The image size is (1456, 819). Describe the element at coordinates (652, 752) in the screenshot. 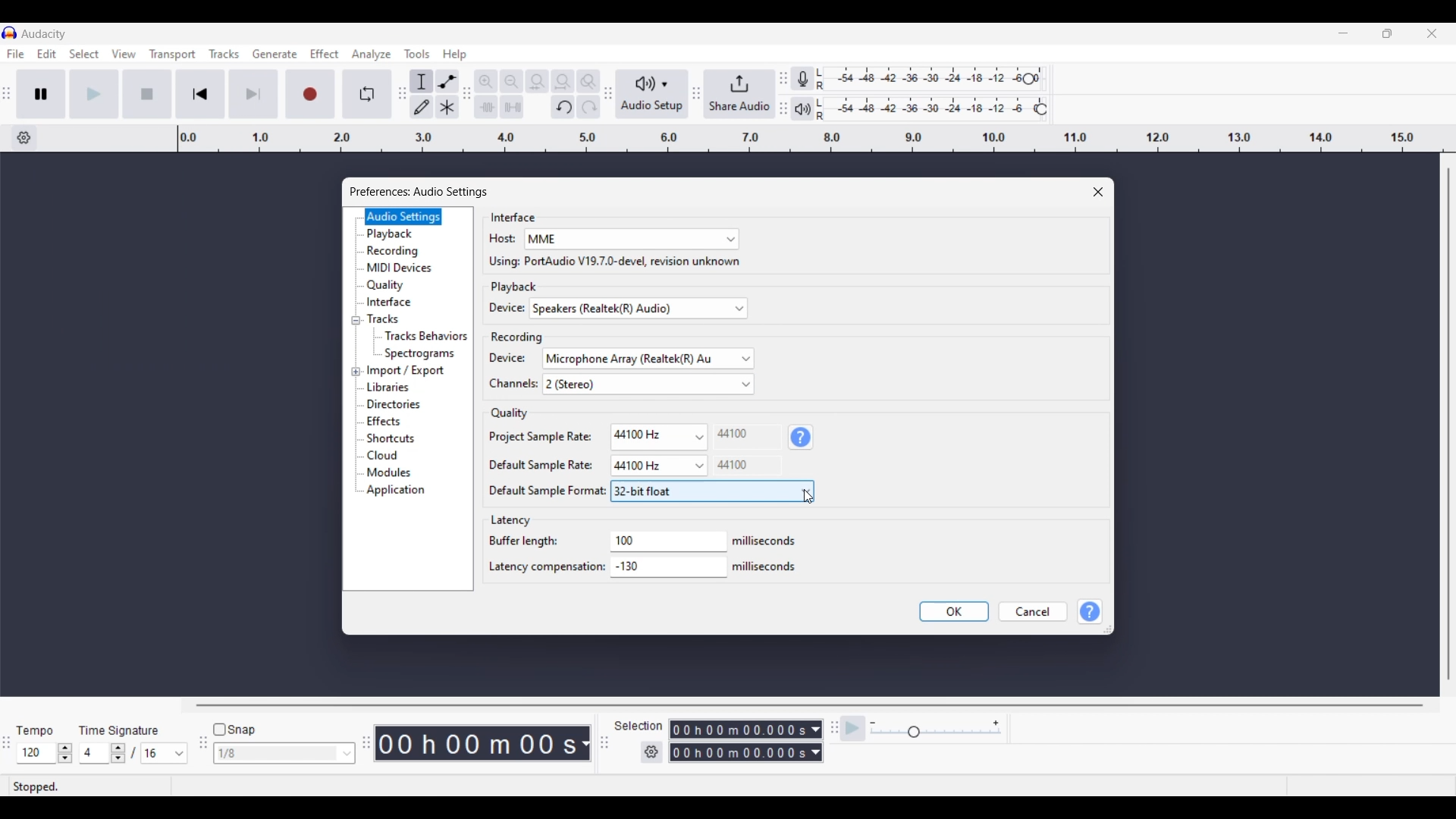

I see `Selection settings` at that location.